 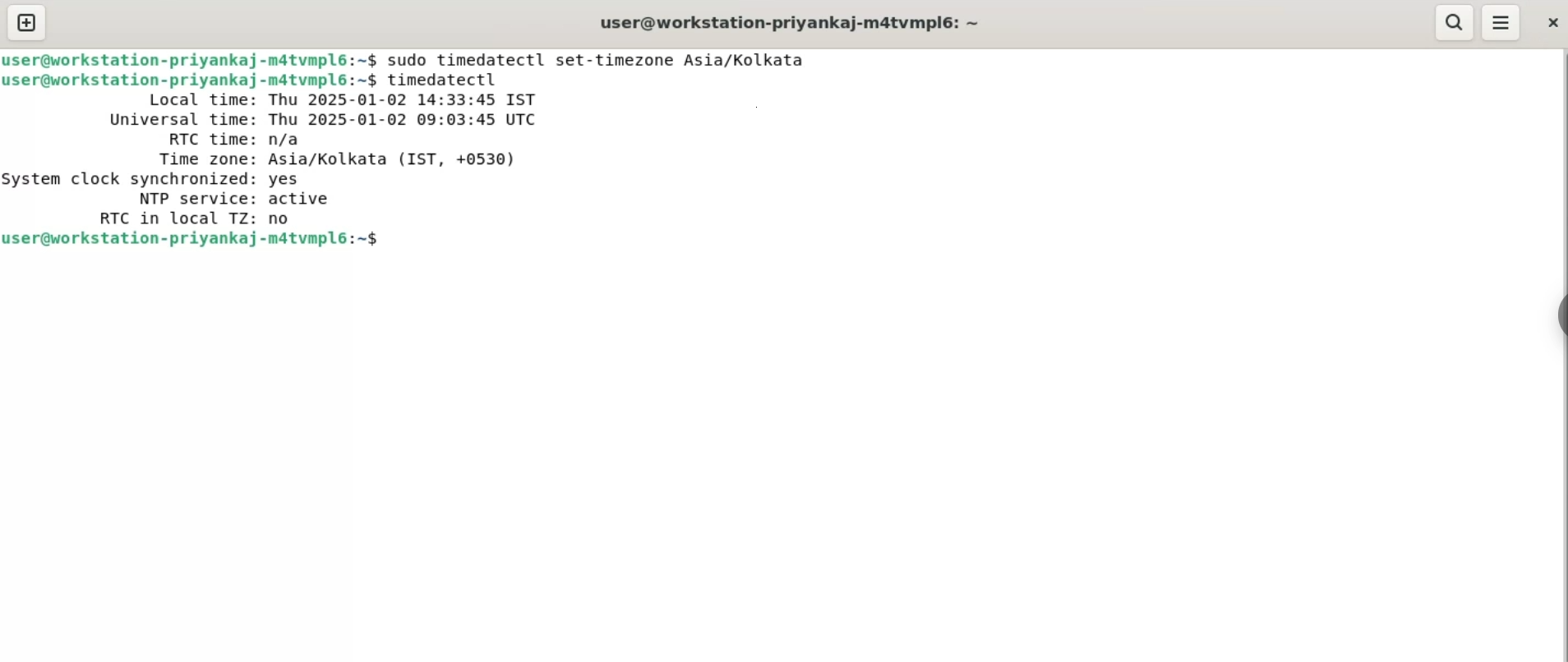 What do you see at coordinates (1454, 23) in the screenshot?
I see `search` at bounding box center [1454, 23].